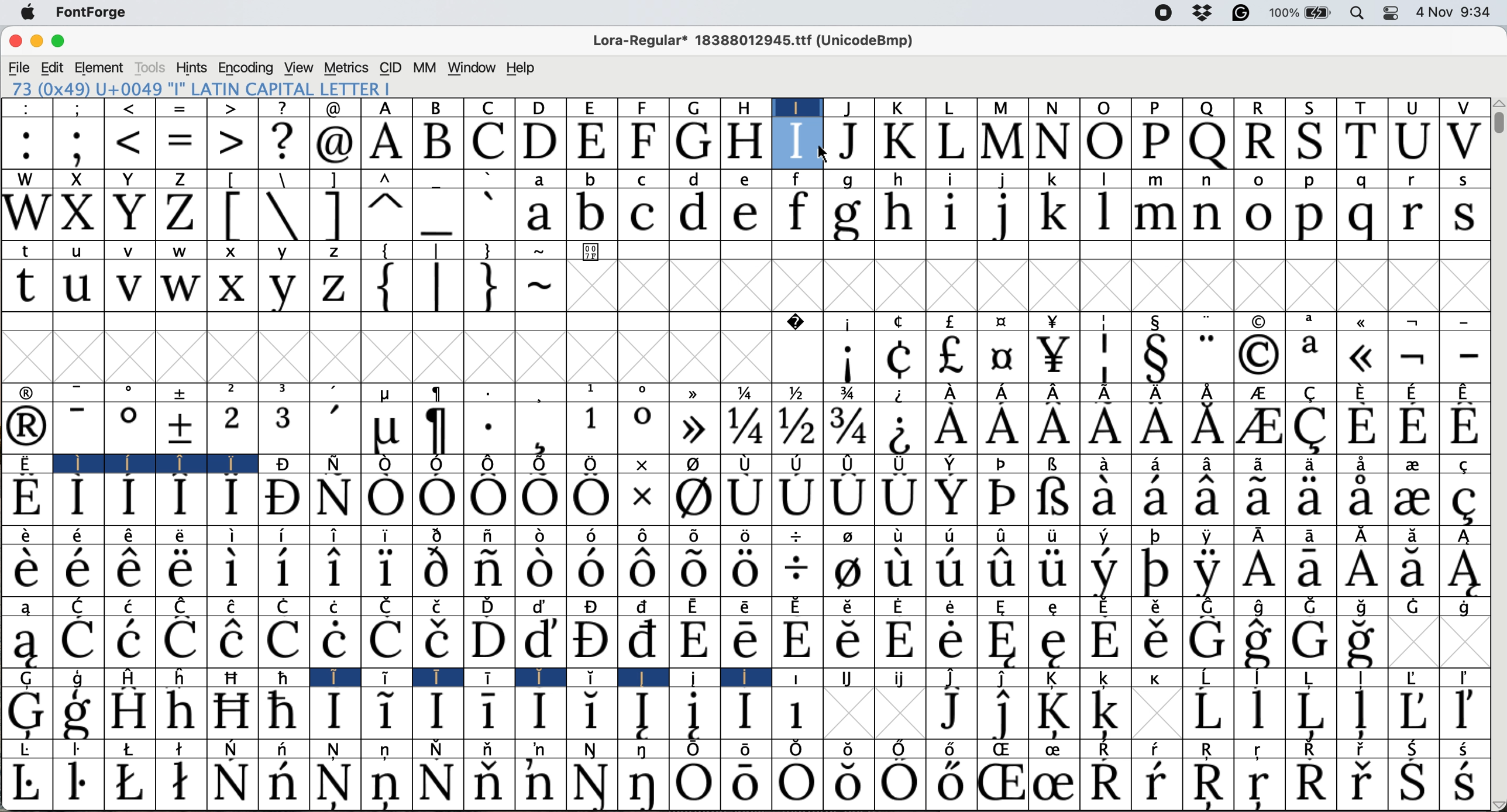 This screenshot has width=1507, height=812. Describe the element at coordinates (594, 606) in the screenshot. I see `Symbol` at that location.